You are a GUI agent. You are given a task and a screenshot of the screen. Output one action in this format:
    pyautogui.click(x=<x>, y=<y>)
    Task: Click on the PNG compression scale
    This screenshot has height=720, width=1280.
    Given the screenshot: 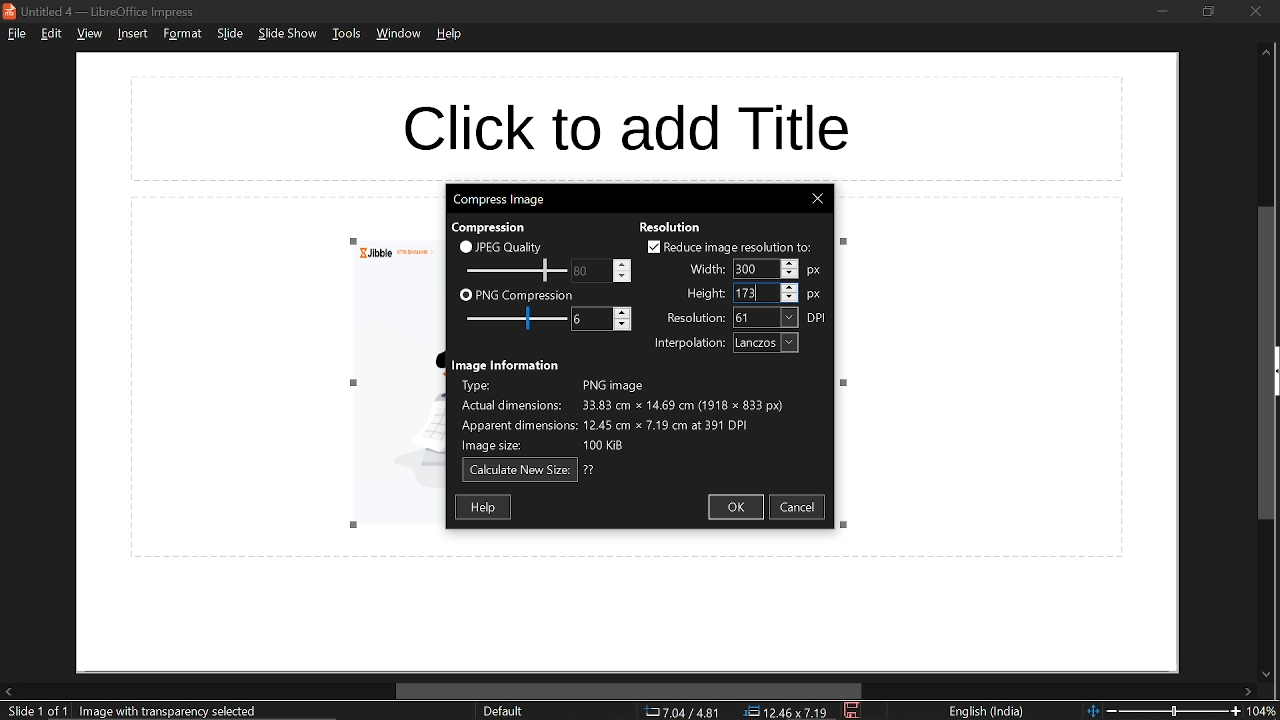 What is the action you would take?
    pyautogui.click(x=513, y=318)
    